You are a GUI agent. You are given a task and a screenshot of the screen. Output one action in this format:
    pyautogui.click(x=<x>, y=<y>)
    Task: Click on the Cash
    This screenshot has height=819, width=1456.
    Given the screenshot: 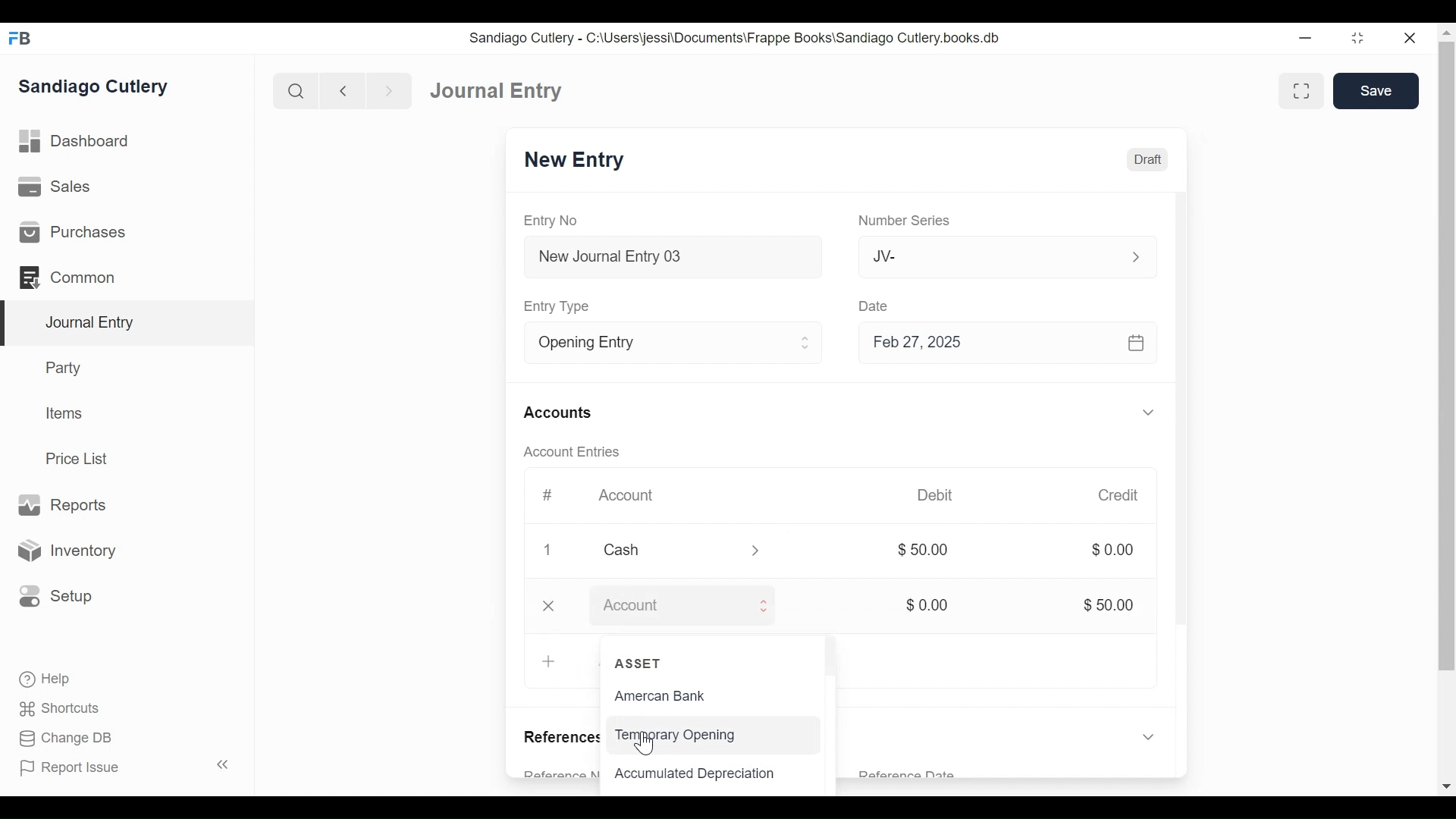 What is the action you would take?
    pyautogui.click(x=673, y=550)
    